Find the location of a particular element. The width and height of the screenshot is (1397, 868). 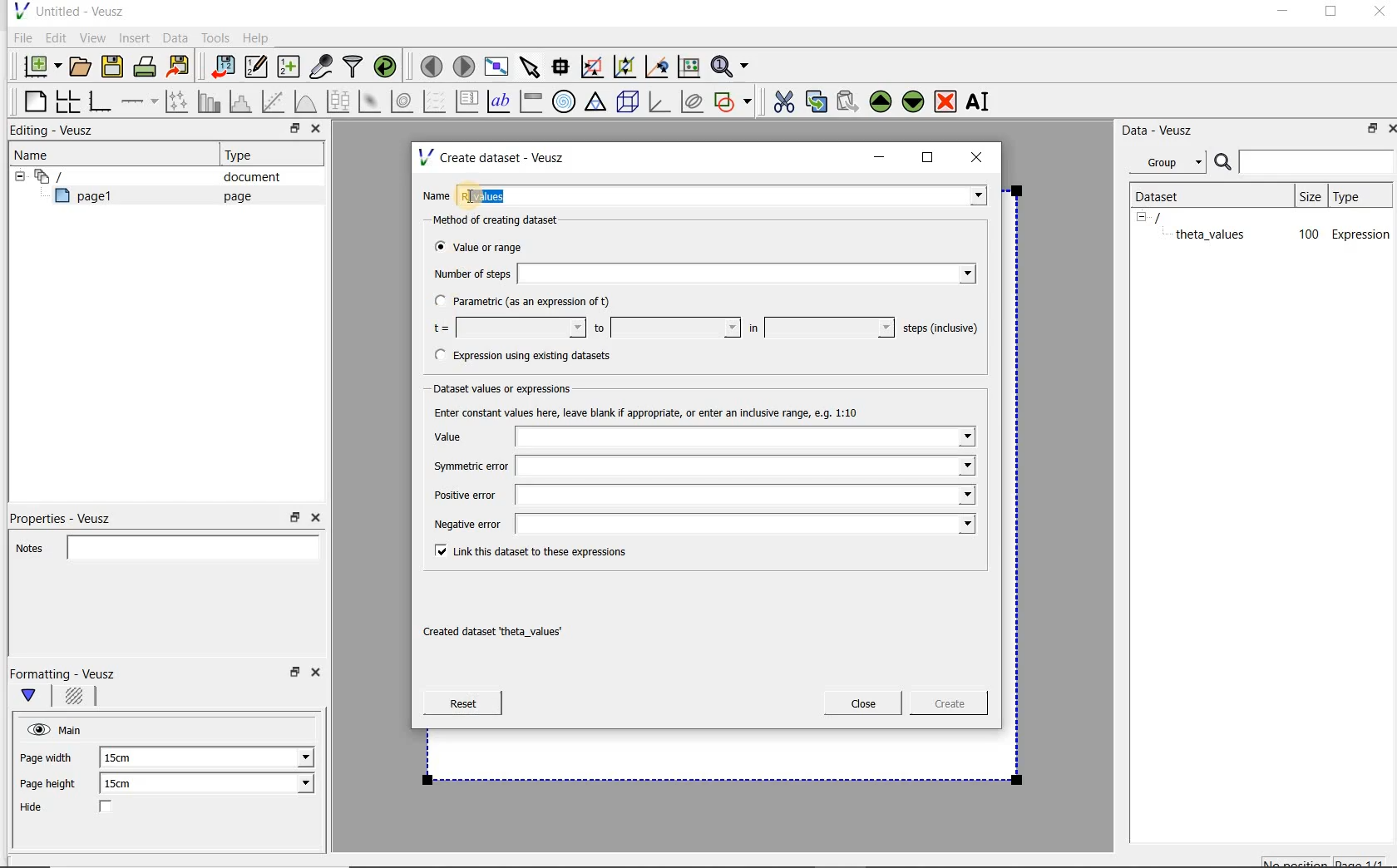

Page height dropdown is located at coordinates (294, 785).